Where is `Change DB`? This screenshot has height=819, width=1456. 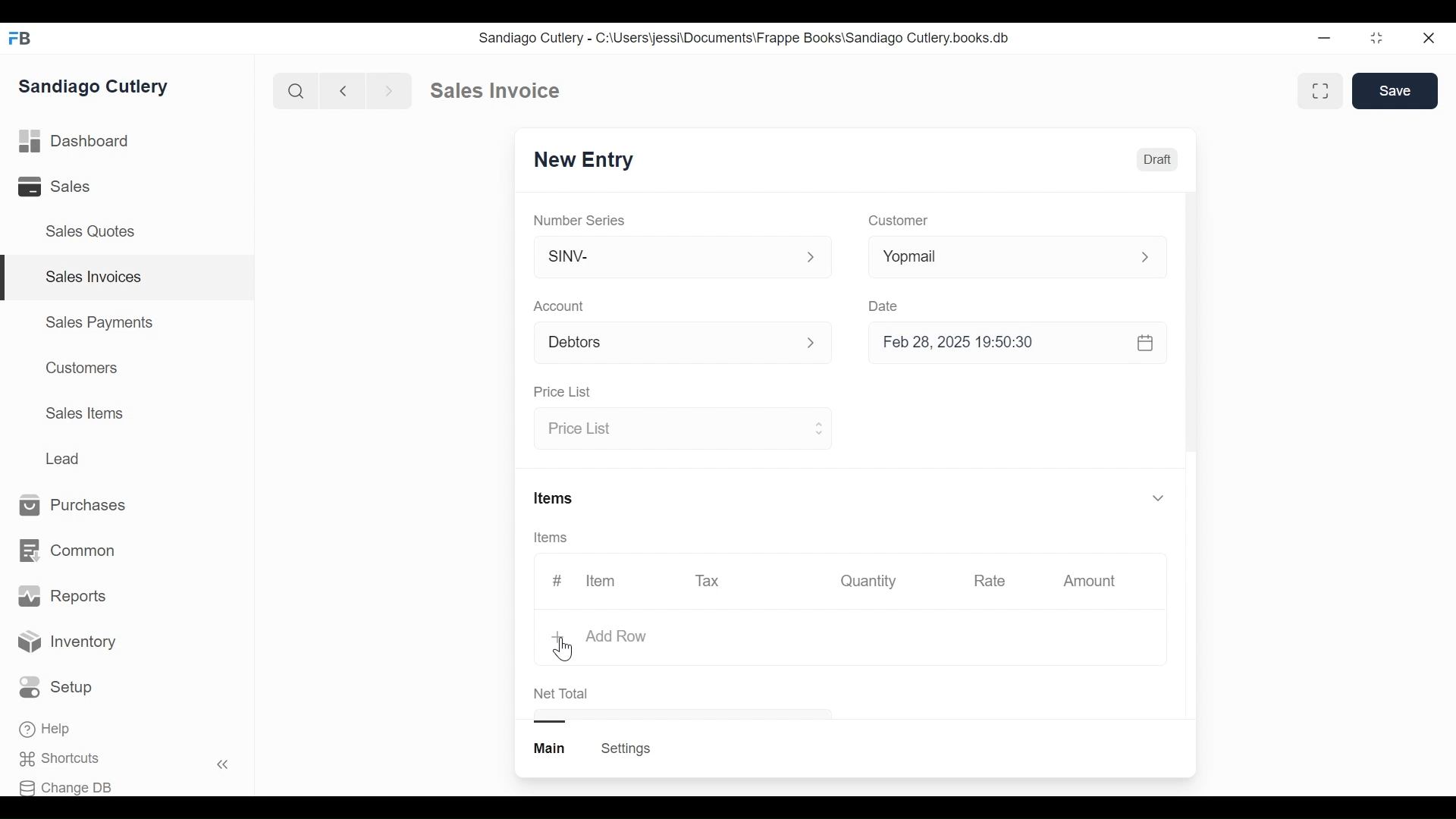 Change DB is located at coordinates (66, 788).